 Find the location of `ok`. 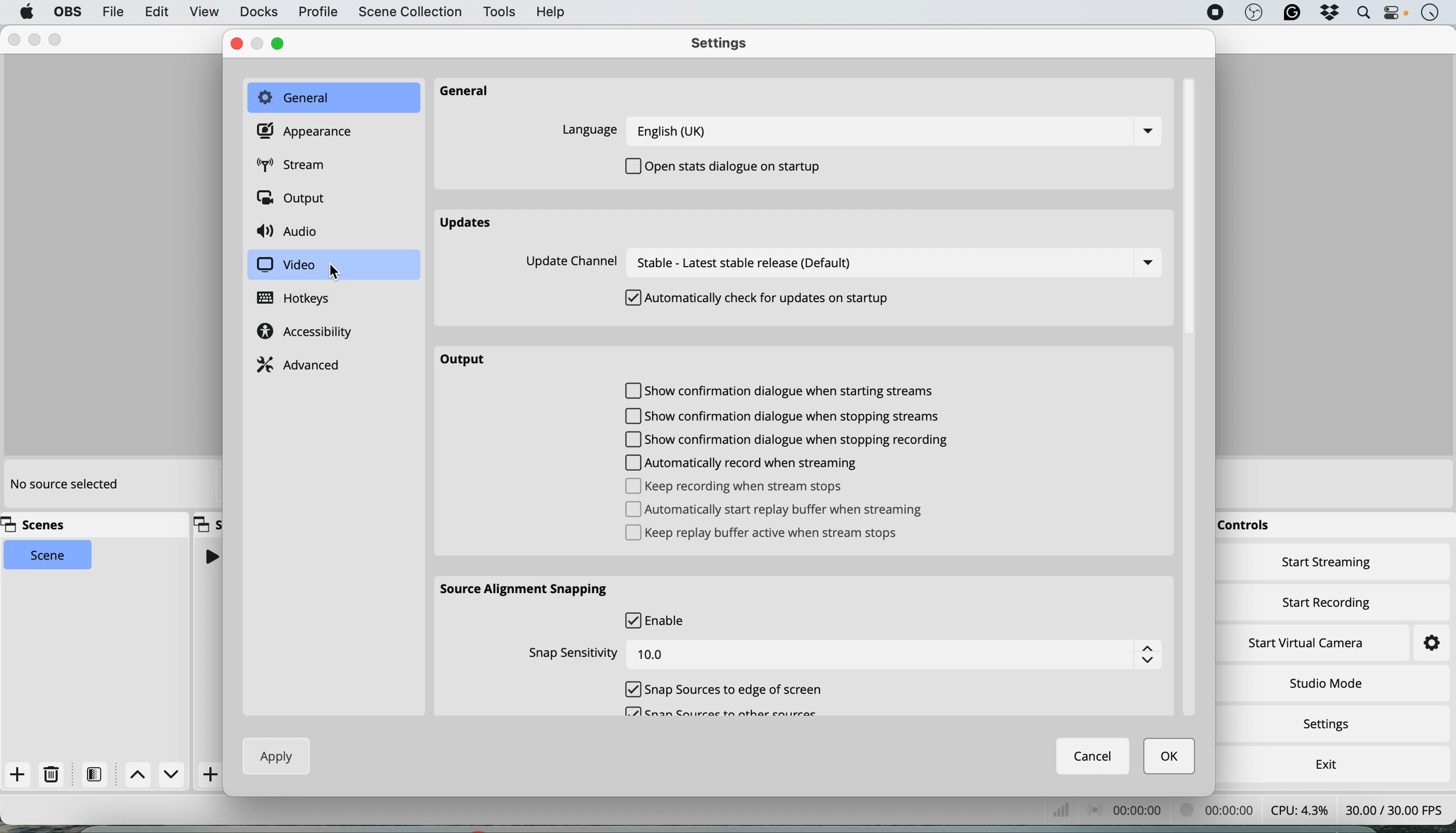

ok is located at coordinates (1171, 757).